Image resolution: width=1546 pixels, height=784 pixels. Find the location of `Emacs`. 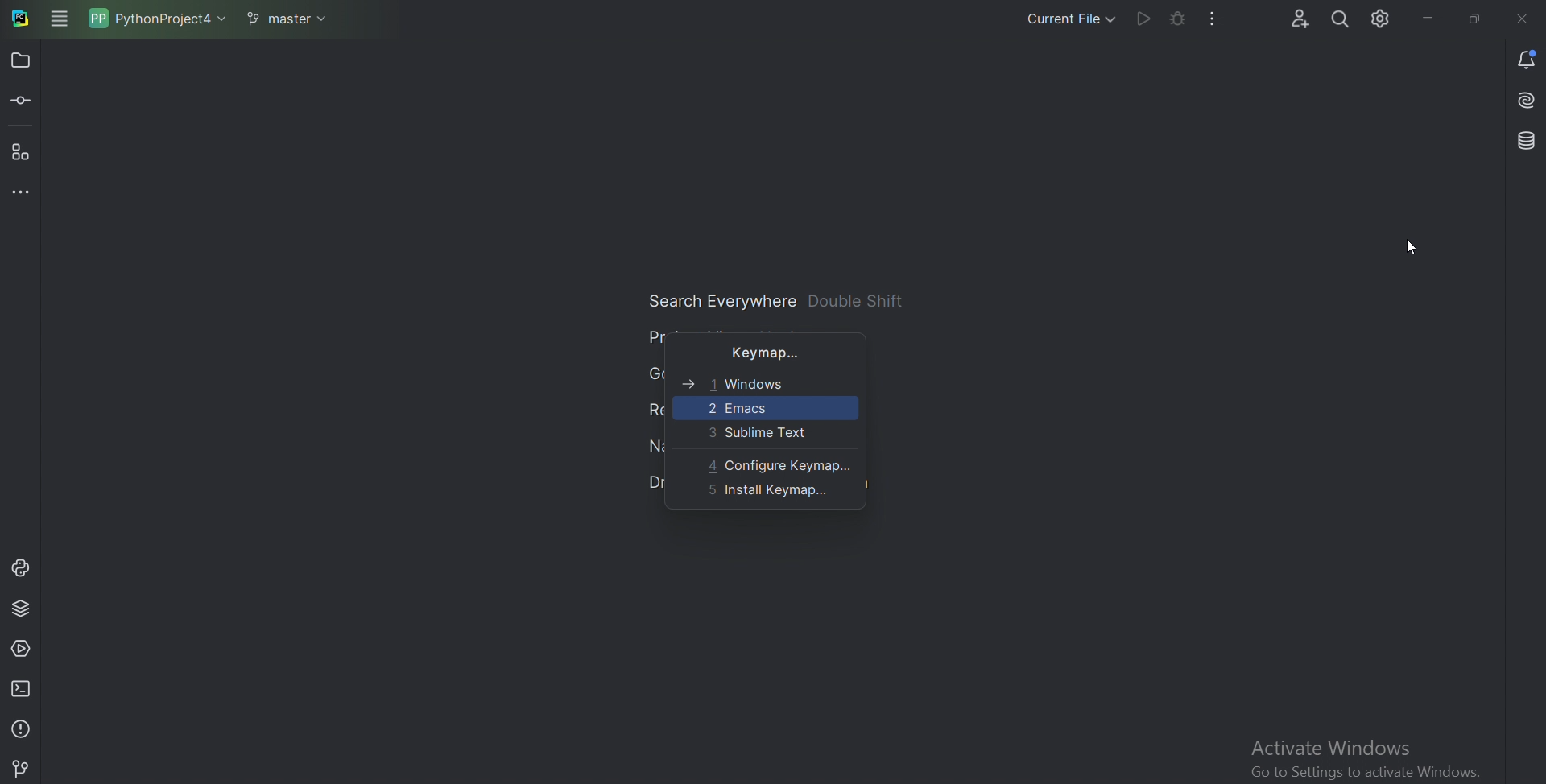

Emacs is located at coordinates (738, 407).